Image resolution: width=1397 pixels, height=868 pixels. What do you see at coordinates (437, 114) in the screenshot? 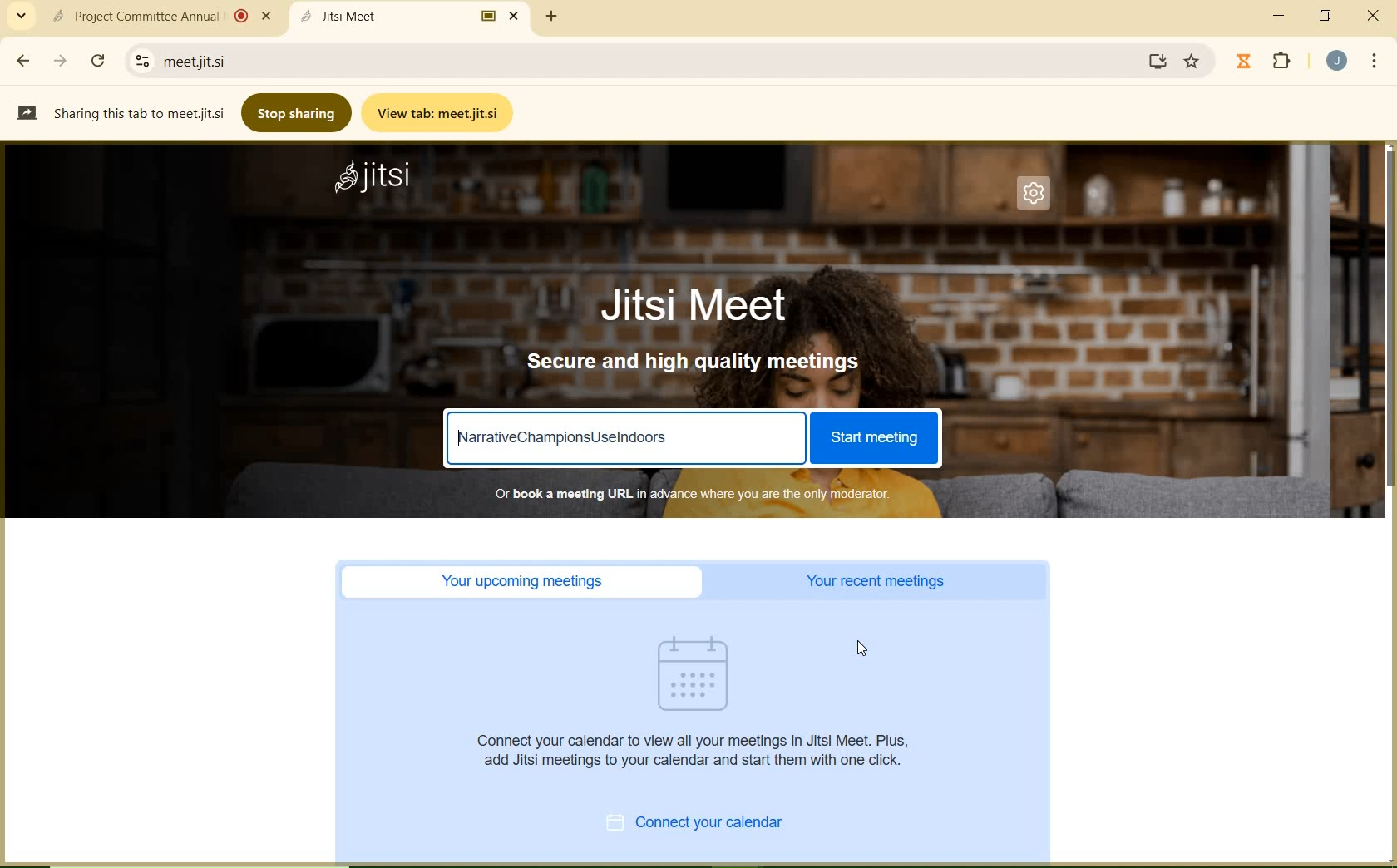
I see `view tab: meet.jit.si` at bounding box center [437, 114].